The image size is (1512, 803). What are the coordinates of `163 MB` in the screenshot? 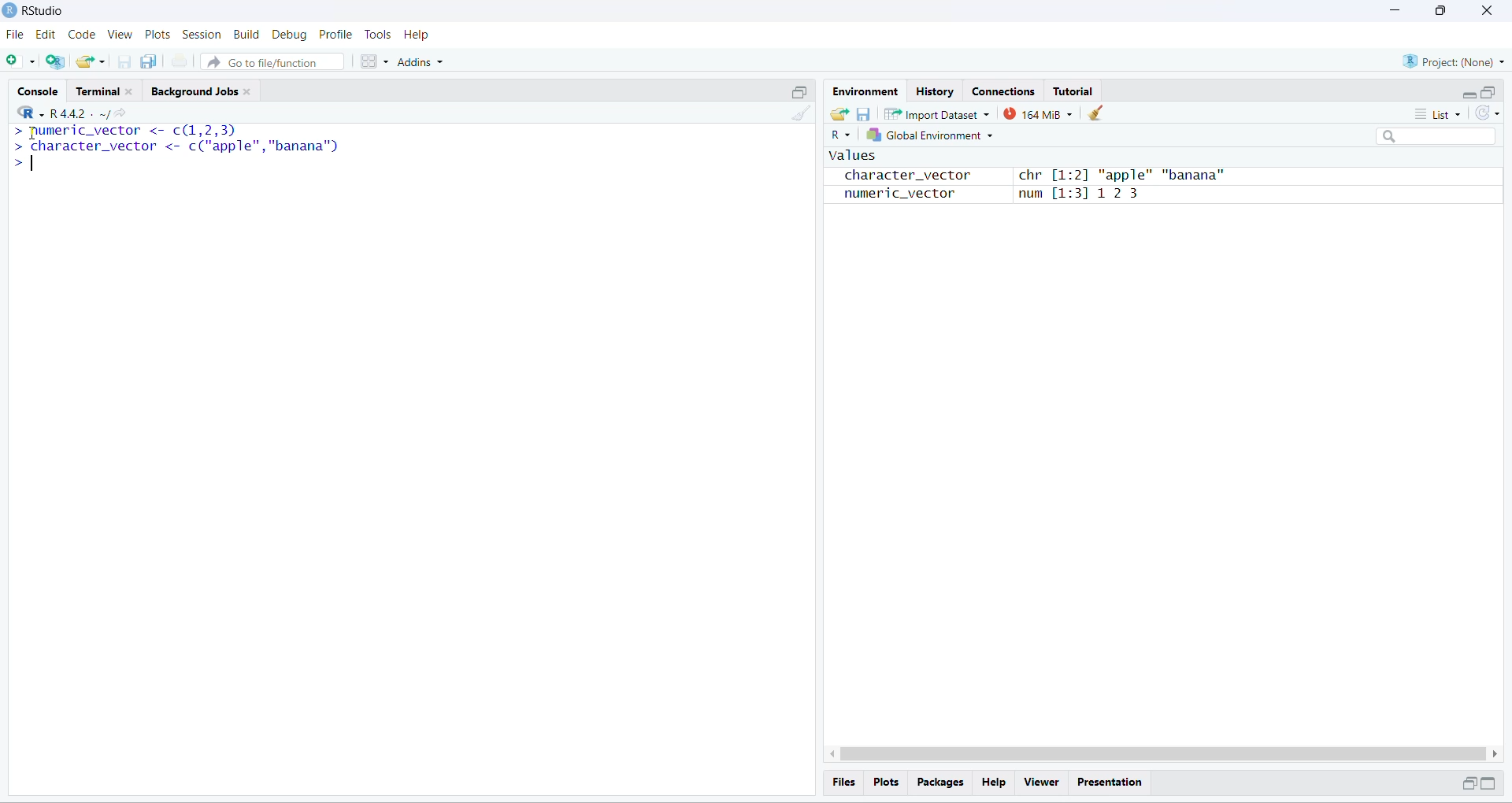 It's located at (1038, 114).